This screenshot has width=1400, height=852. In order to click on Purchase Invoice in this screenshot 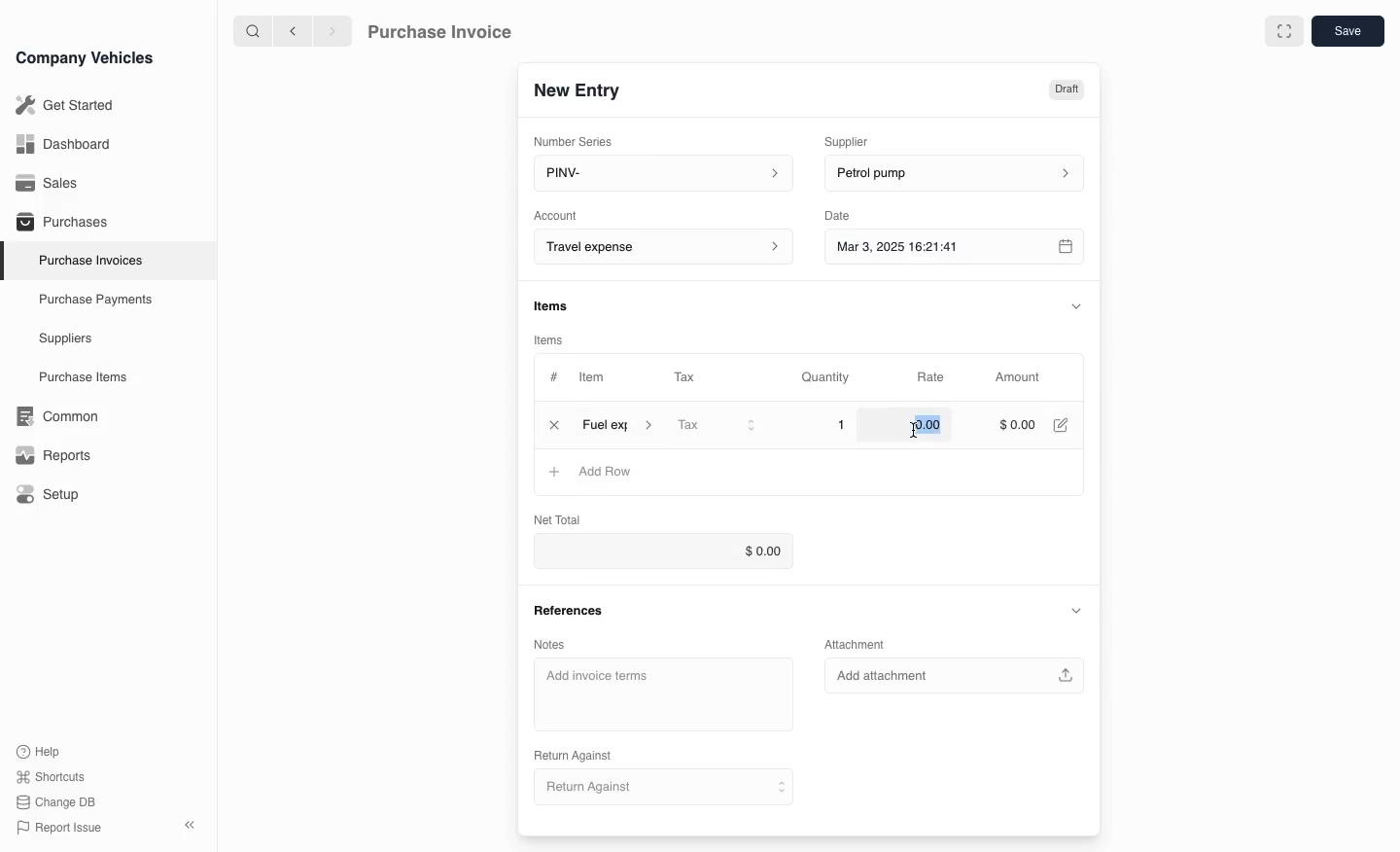, I will do `click(453, 30)`.